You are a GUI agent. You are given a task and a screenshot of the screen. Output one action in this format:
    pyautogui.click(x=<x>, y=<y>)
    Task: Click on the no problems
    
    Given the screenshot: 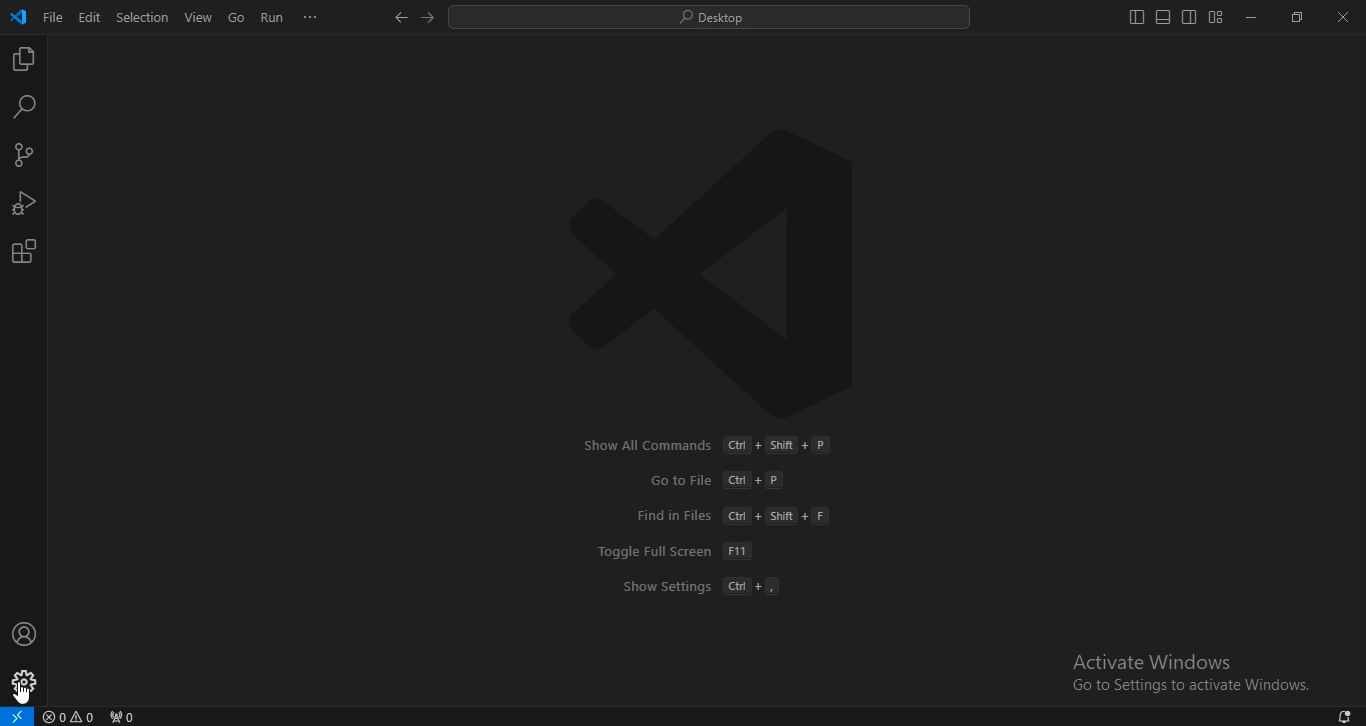 What is the action you would take?
    pyautogui.click(x=70, y=716)
    